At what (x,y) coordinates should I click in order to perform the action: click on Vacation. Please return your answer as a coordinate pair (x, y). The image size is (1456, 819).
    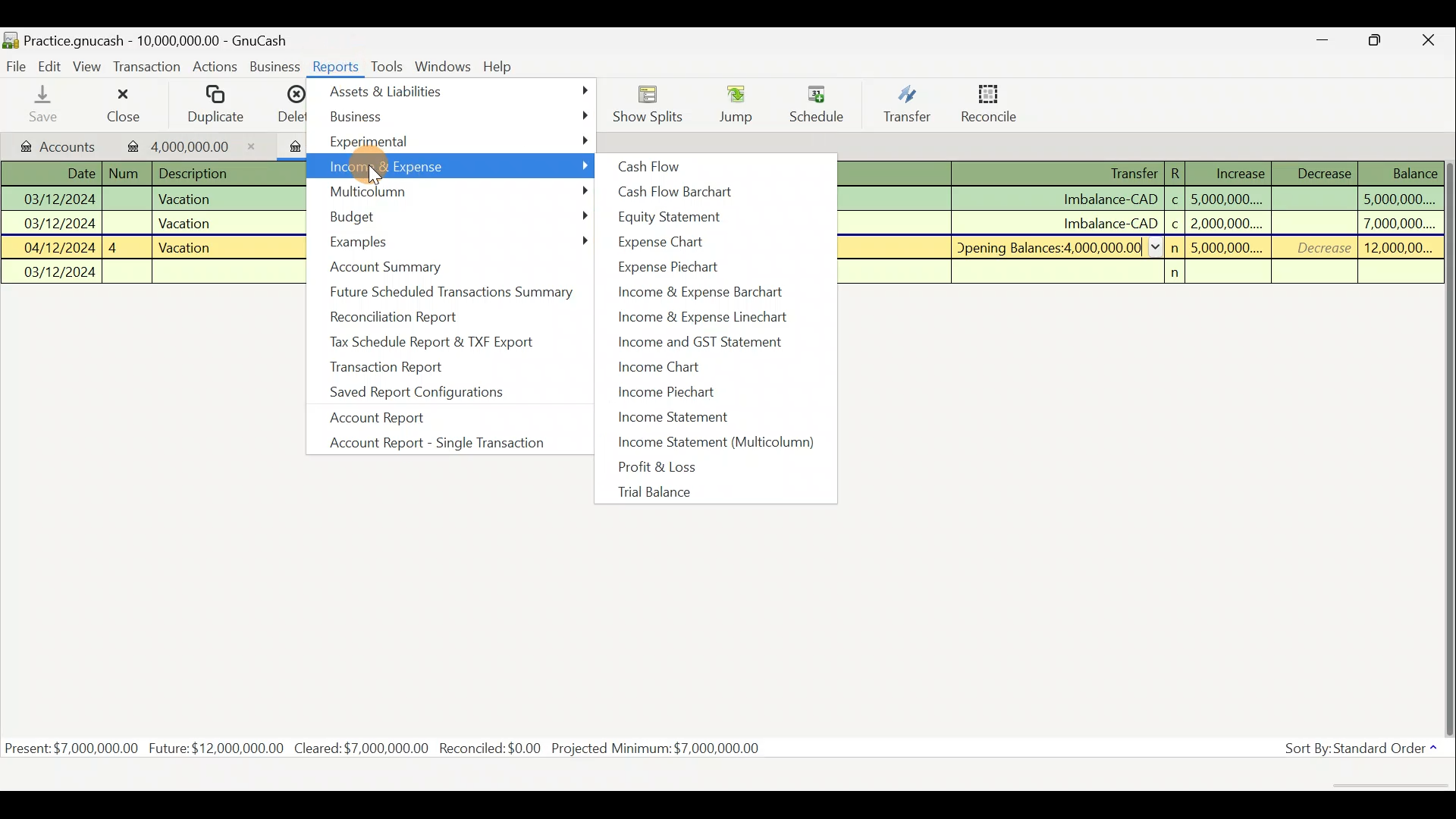
    Looking at the image, I should click on (184, 246).